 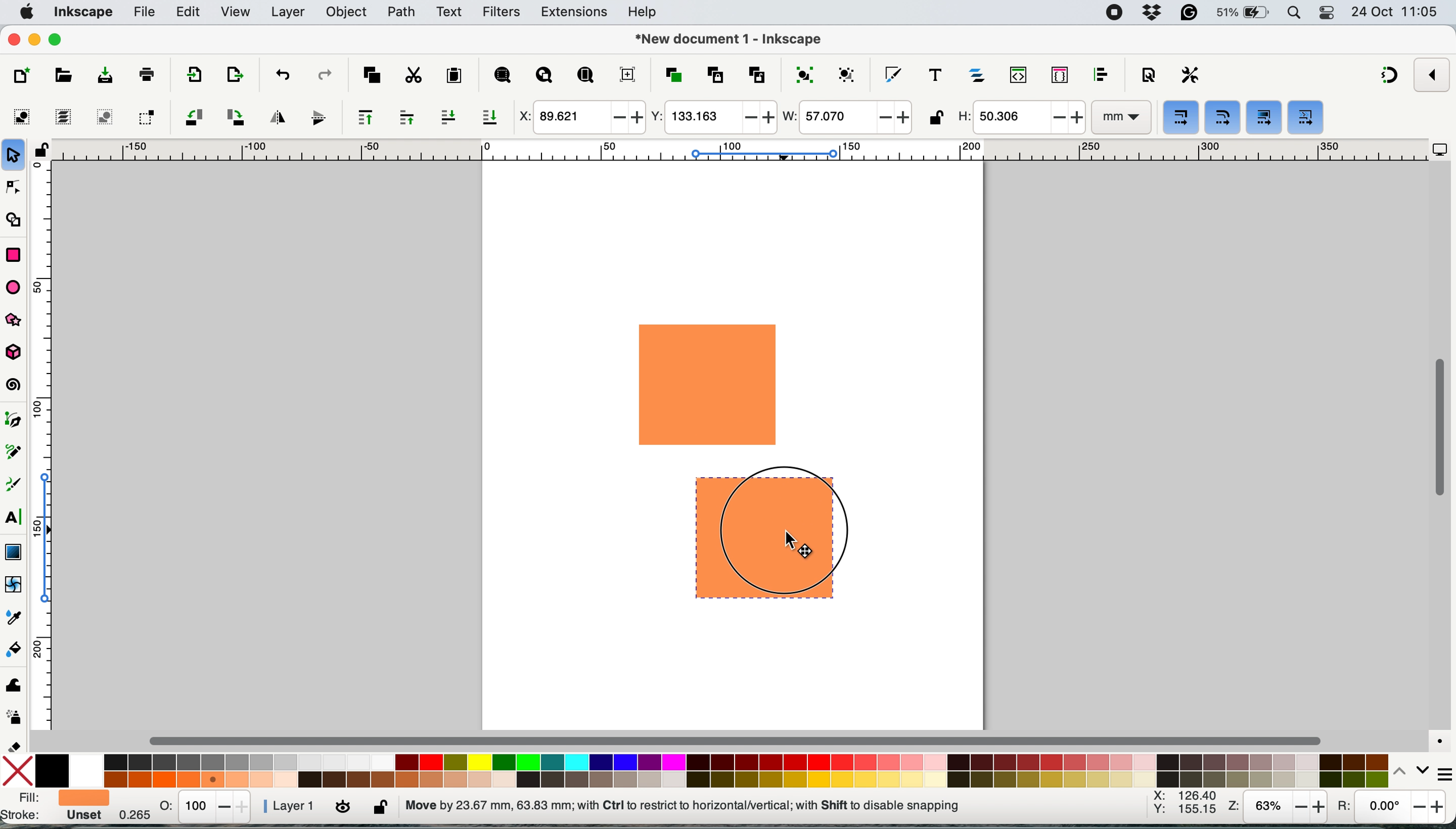 What do you see at coordinates (281, 74) in the screenshot?
I see `undo` at bounding box center [281, 74].